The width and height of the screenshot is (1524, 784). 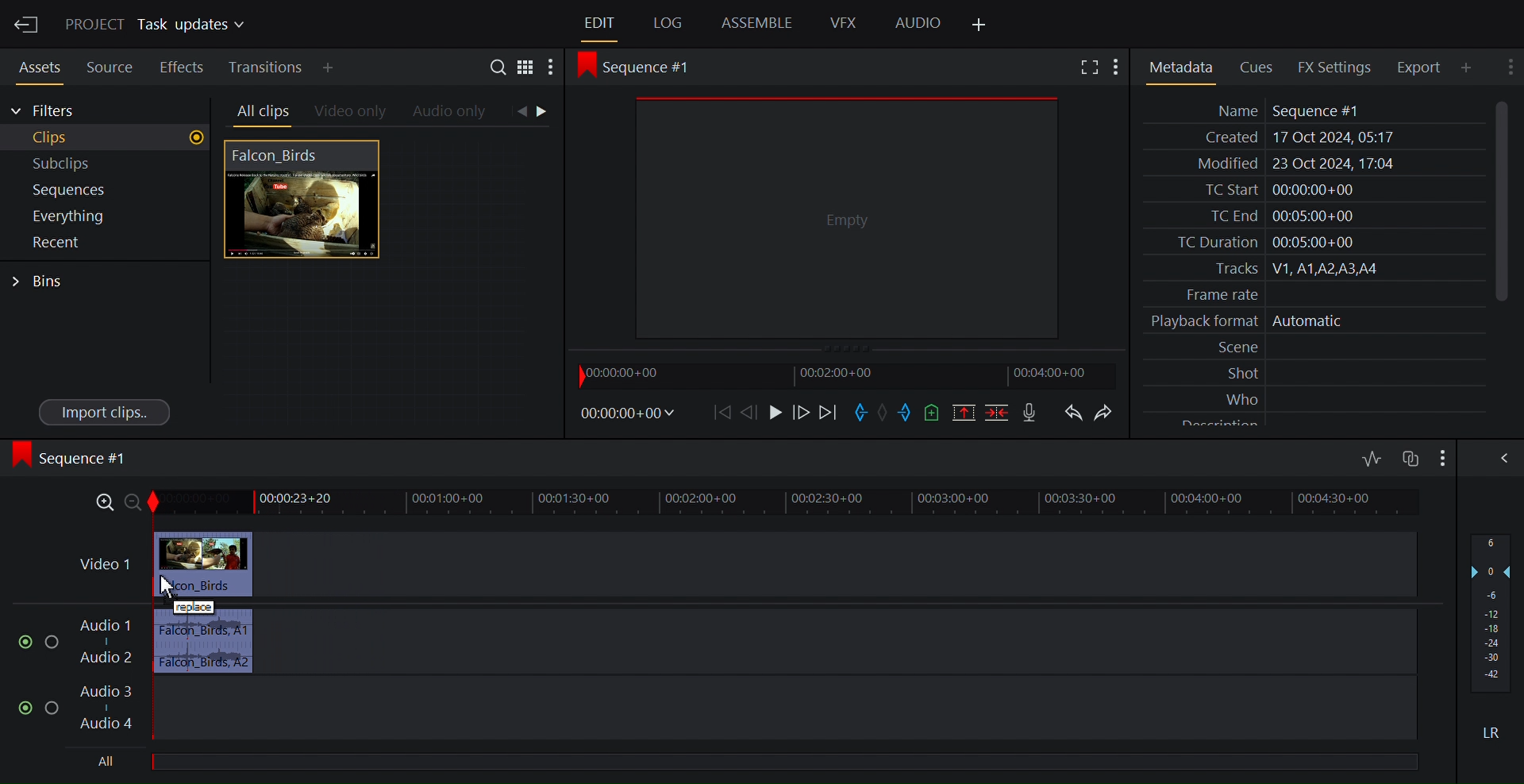 I want to click on Media Viewer, so click(x=847, y=217).